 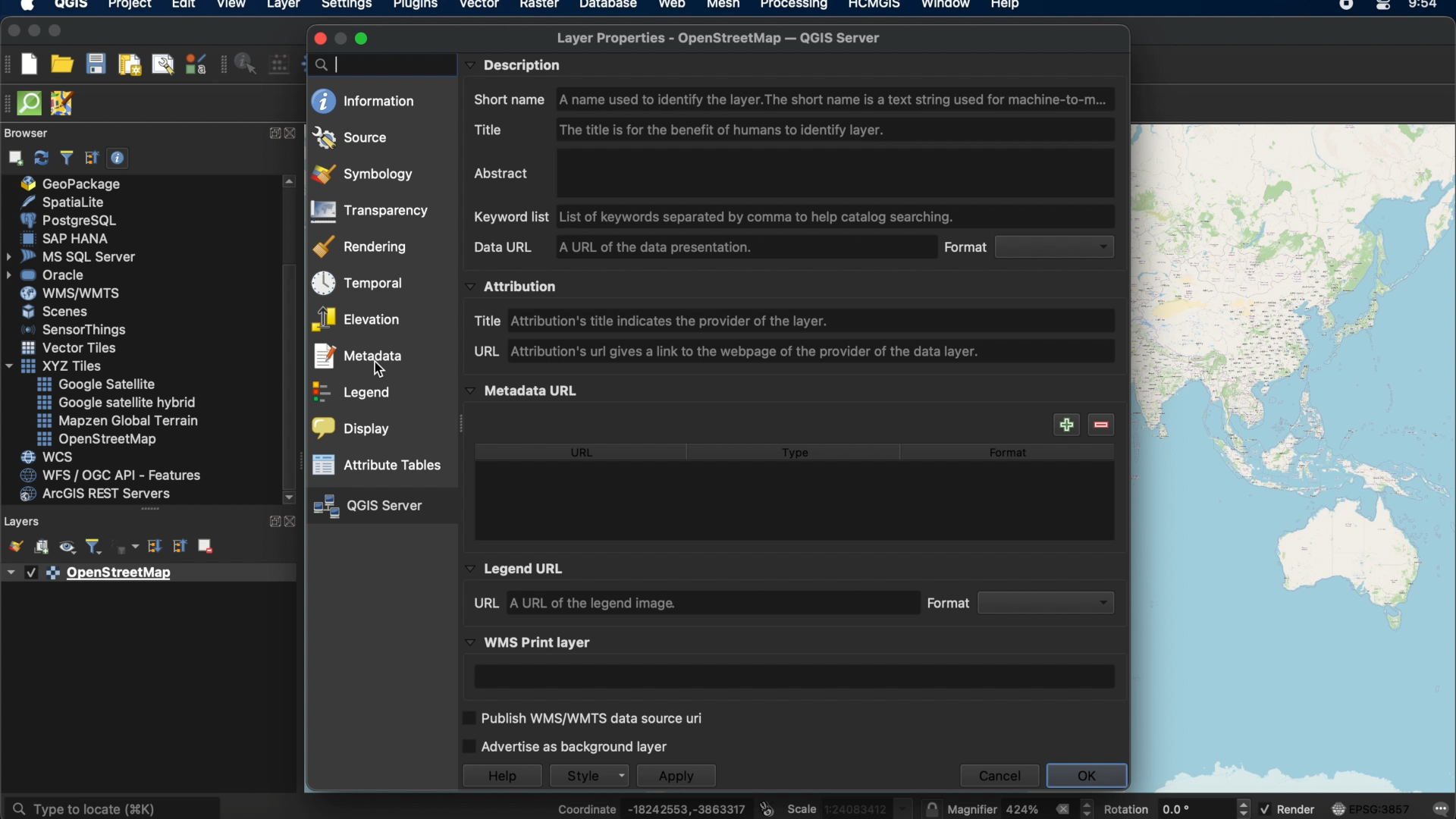 What do you see at coordinates (96, 64) in the screenshot?
I see `save project` at bounding box center [96, 64].